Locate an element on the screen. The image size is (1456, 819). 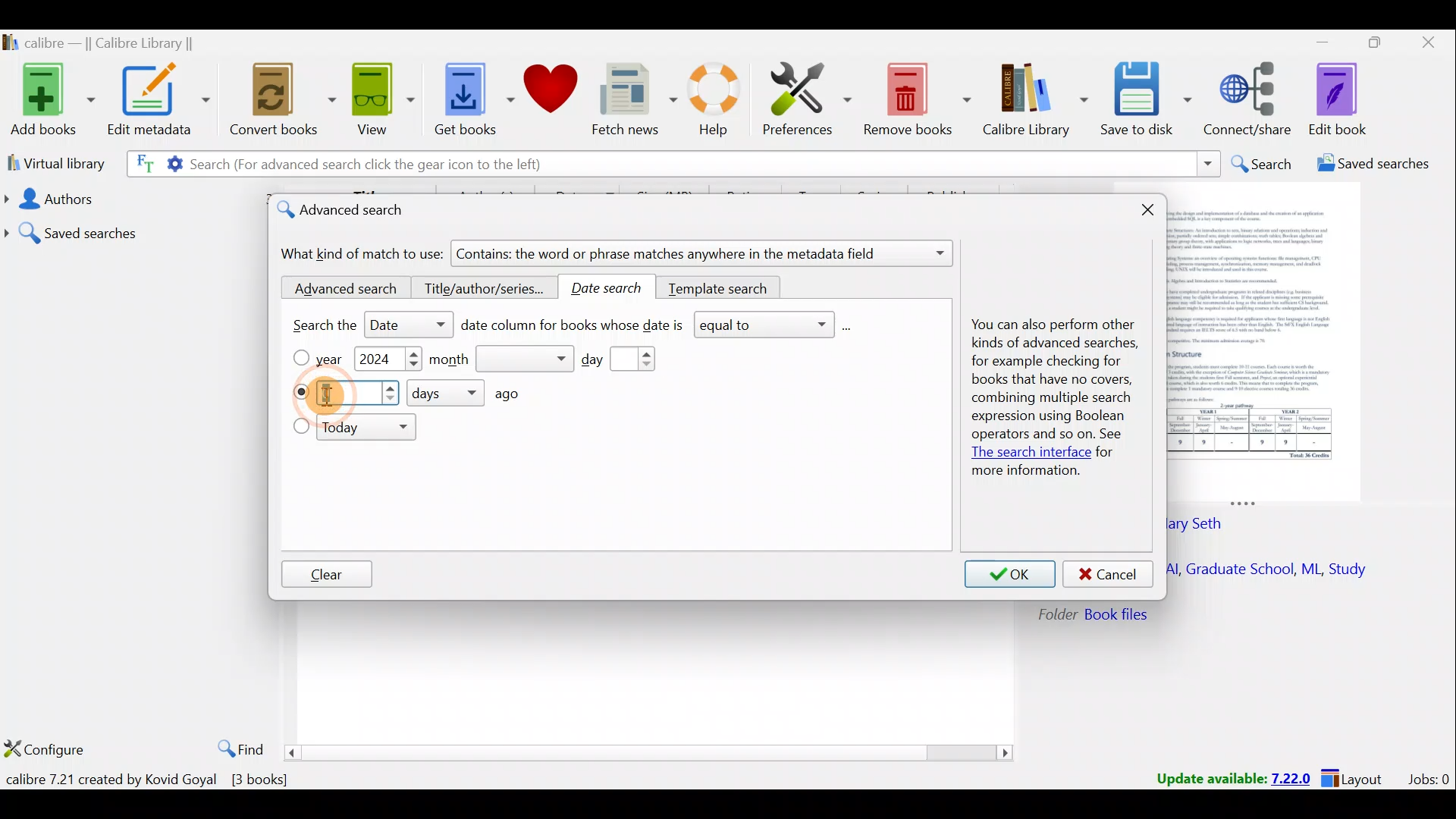
Clear is located at coordinates (327, 576).